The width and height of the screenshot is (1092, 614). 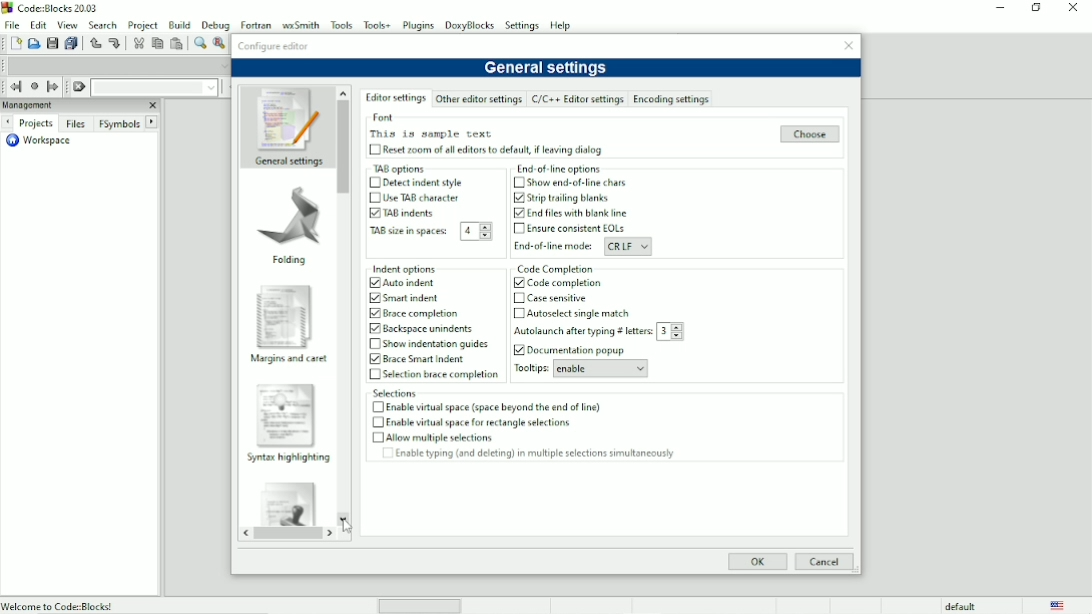 I want to click on Fortran, so click(x=255, y=23).